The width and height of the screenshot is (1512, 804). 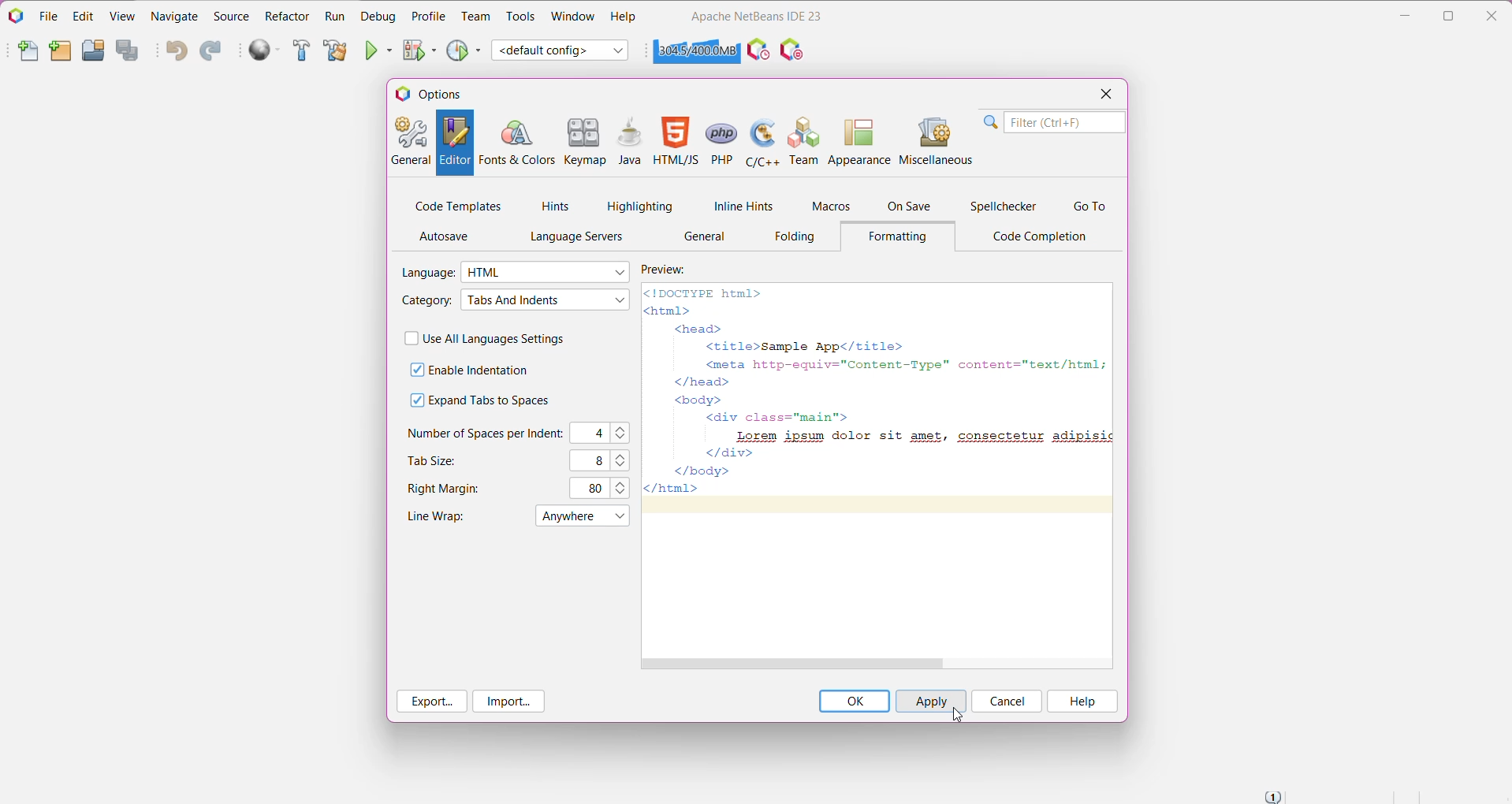 I want to click on Navigate, so click(x=177, y=15).